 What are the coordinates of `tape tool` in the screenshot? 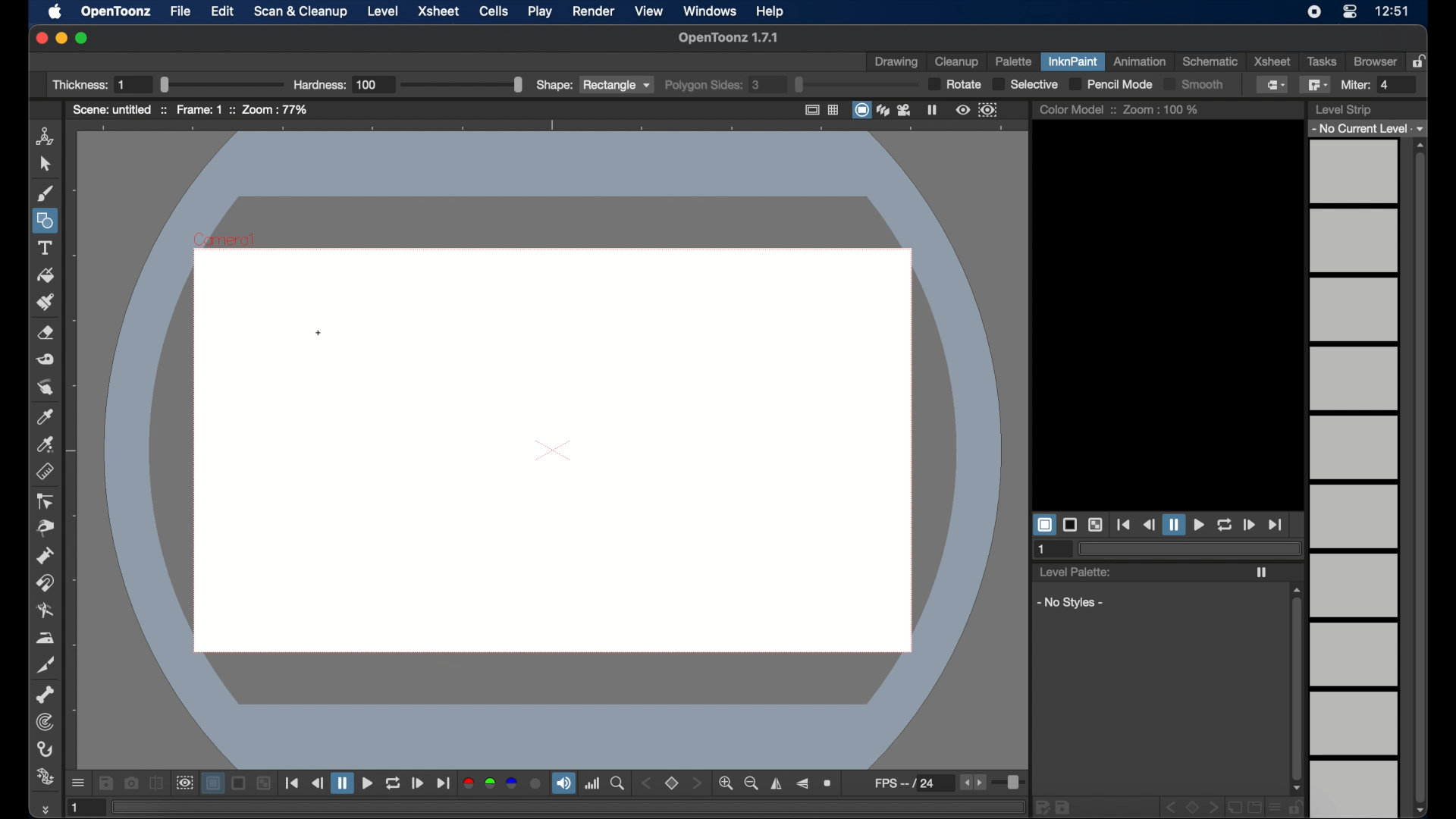 It's located at (45, 359).